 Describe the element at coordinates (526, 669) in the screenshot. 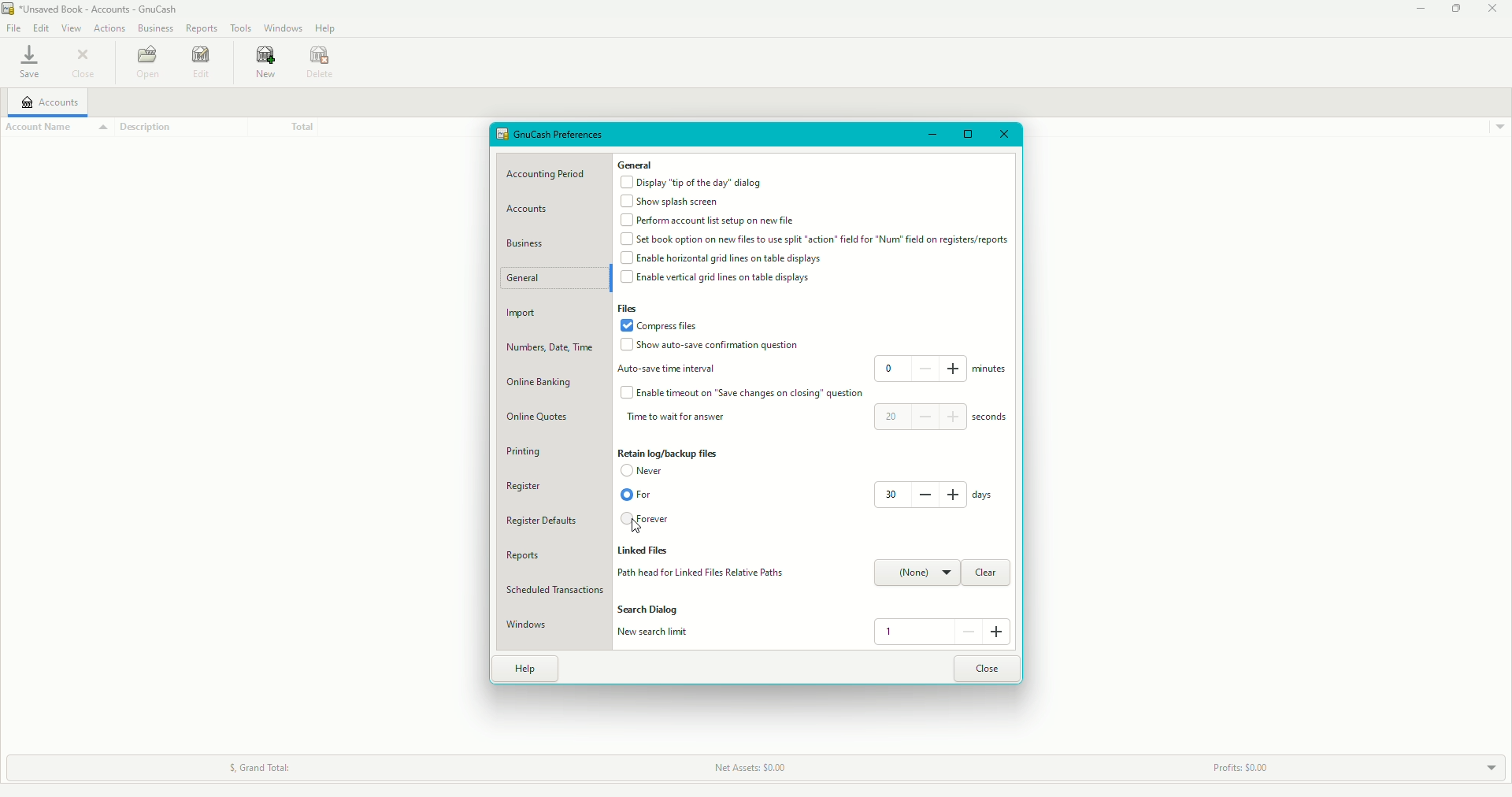

I see `Help` at that location.